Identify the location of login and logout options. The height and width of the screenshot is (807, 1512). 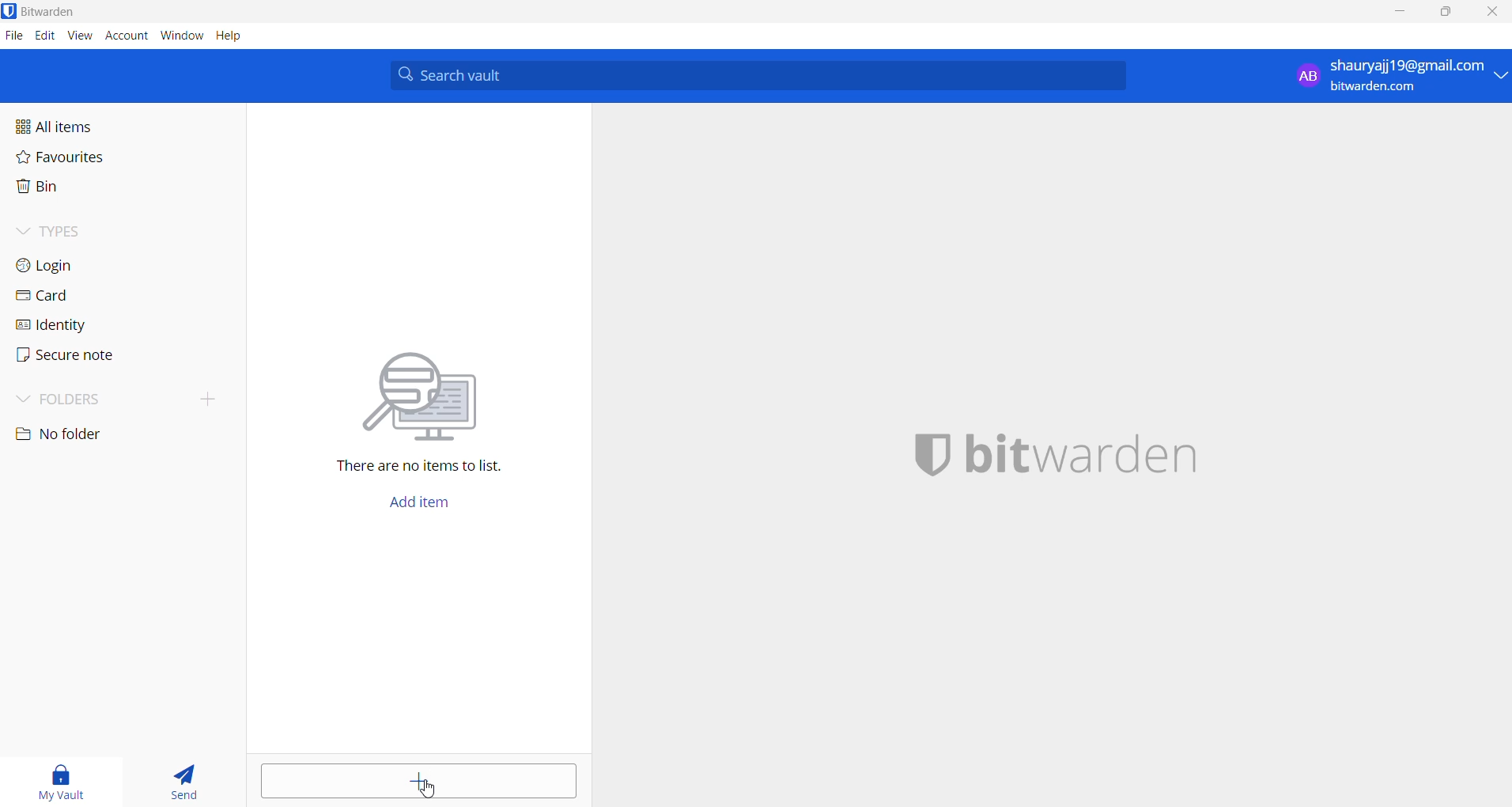
(1400, 78).